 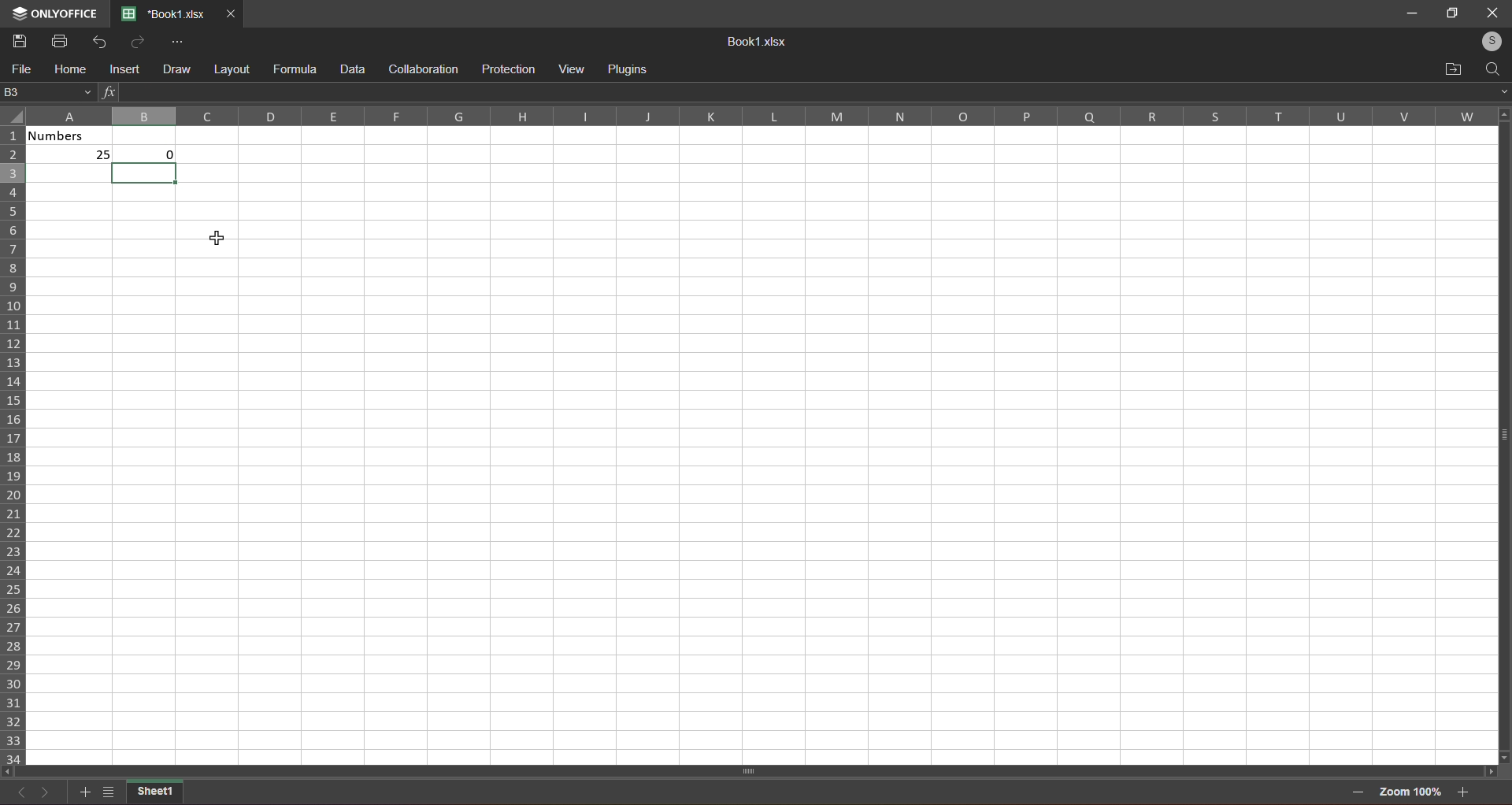 I want to click on scroll down, so click(x=1506, y=756).